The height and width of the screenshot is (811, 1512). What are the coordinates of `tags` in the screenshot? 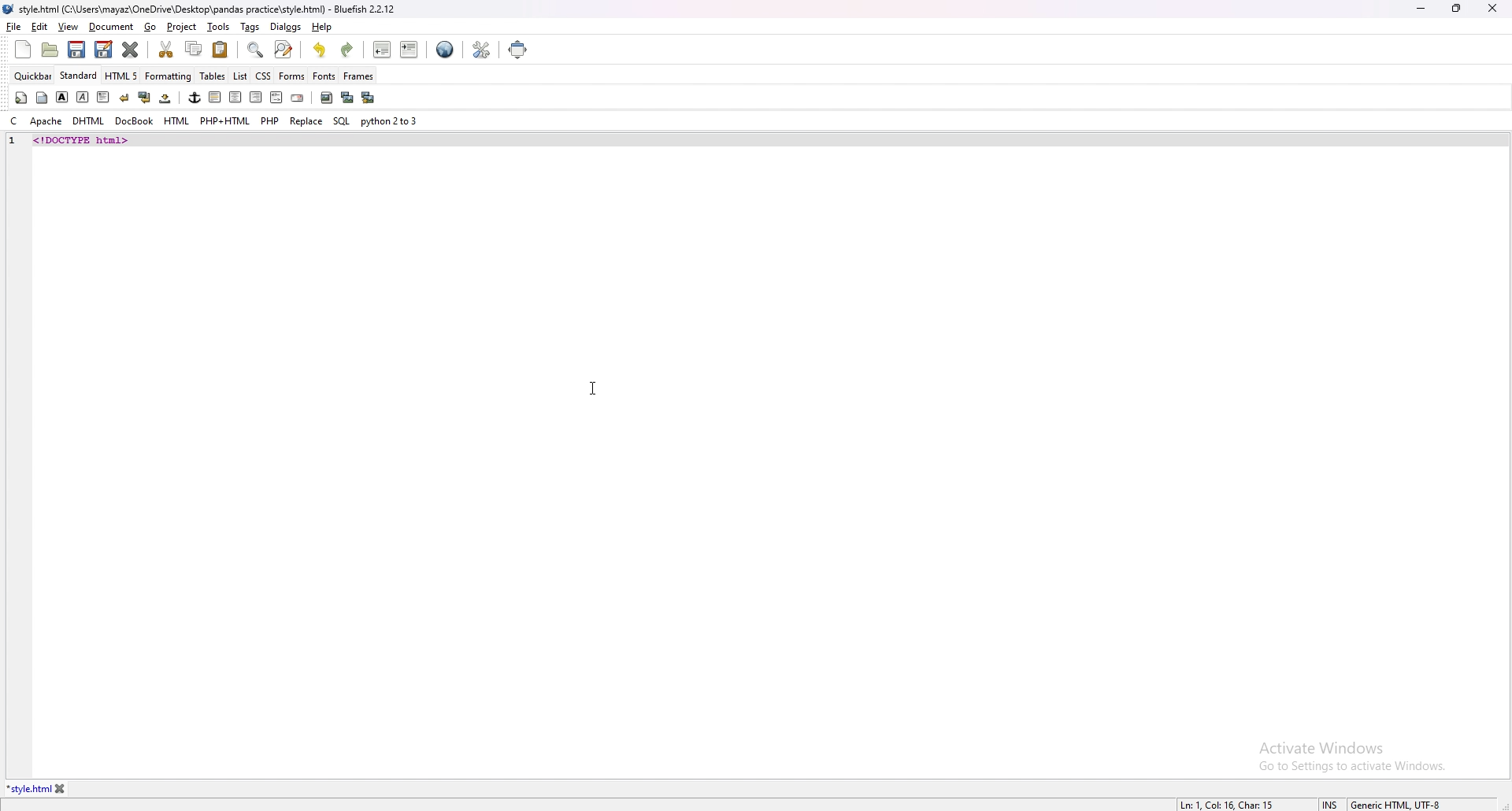 It's located at (251, 27).